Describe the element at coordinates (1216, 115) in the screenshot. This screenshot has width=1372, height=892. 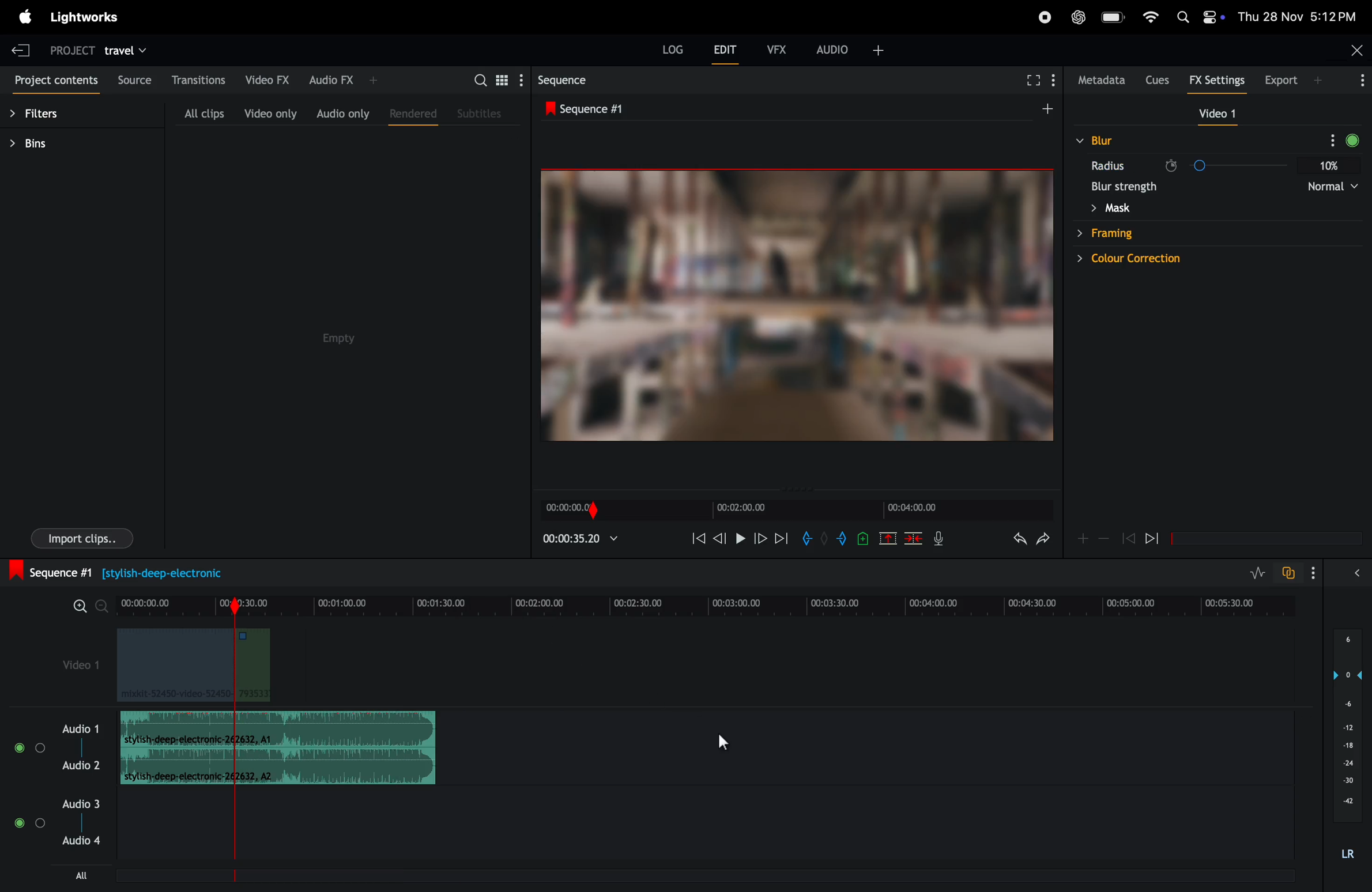
I see `video` at that location.